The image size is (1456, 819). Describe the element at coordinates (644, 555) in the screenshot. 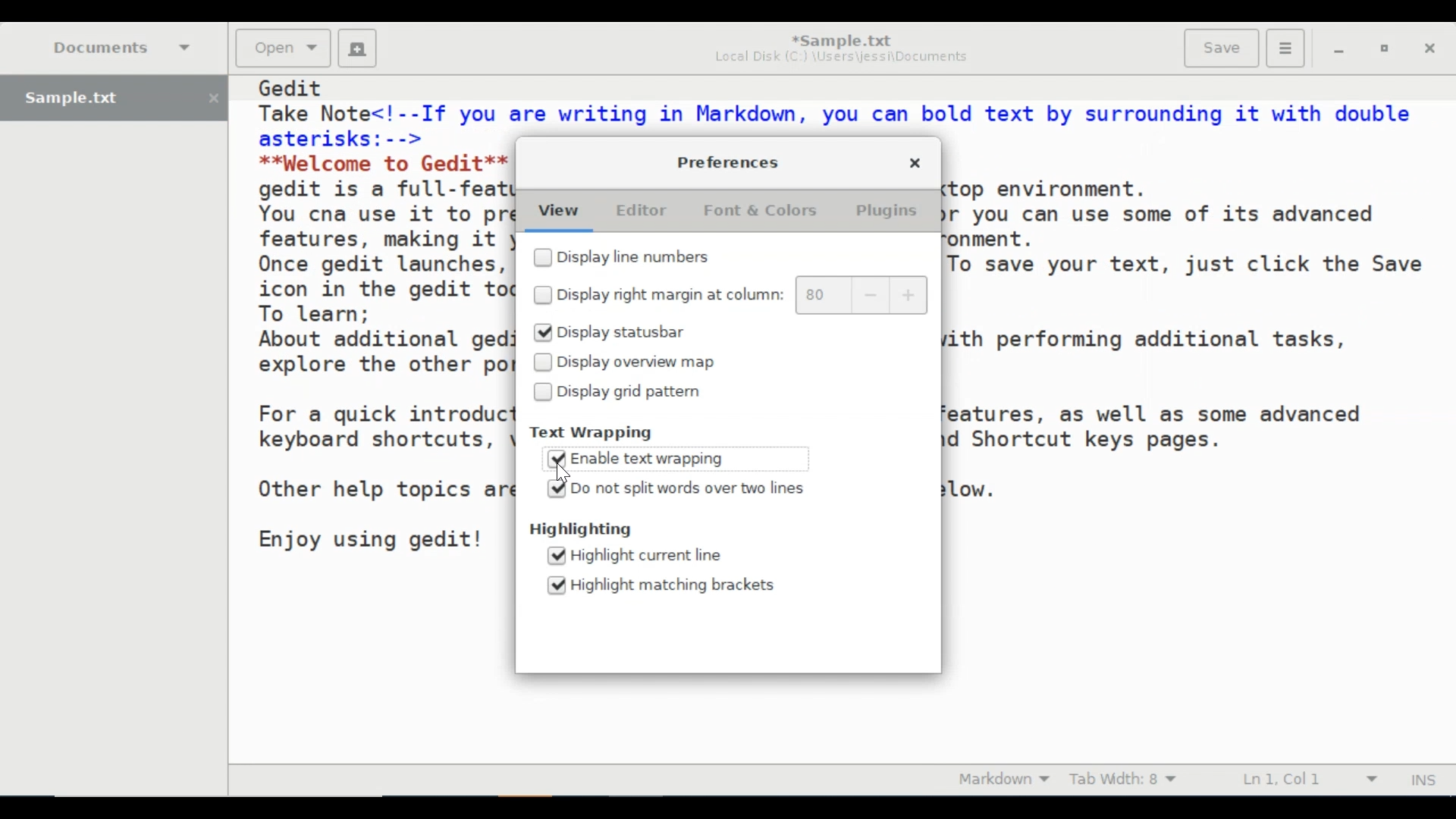

I see `(un)select Highlight current line` at that location.